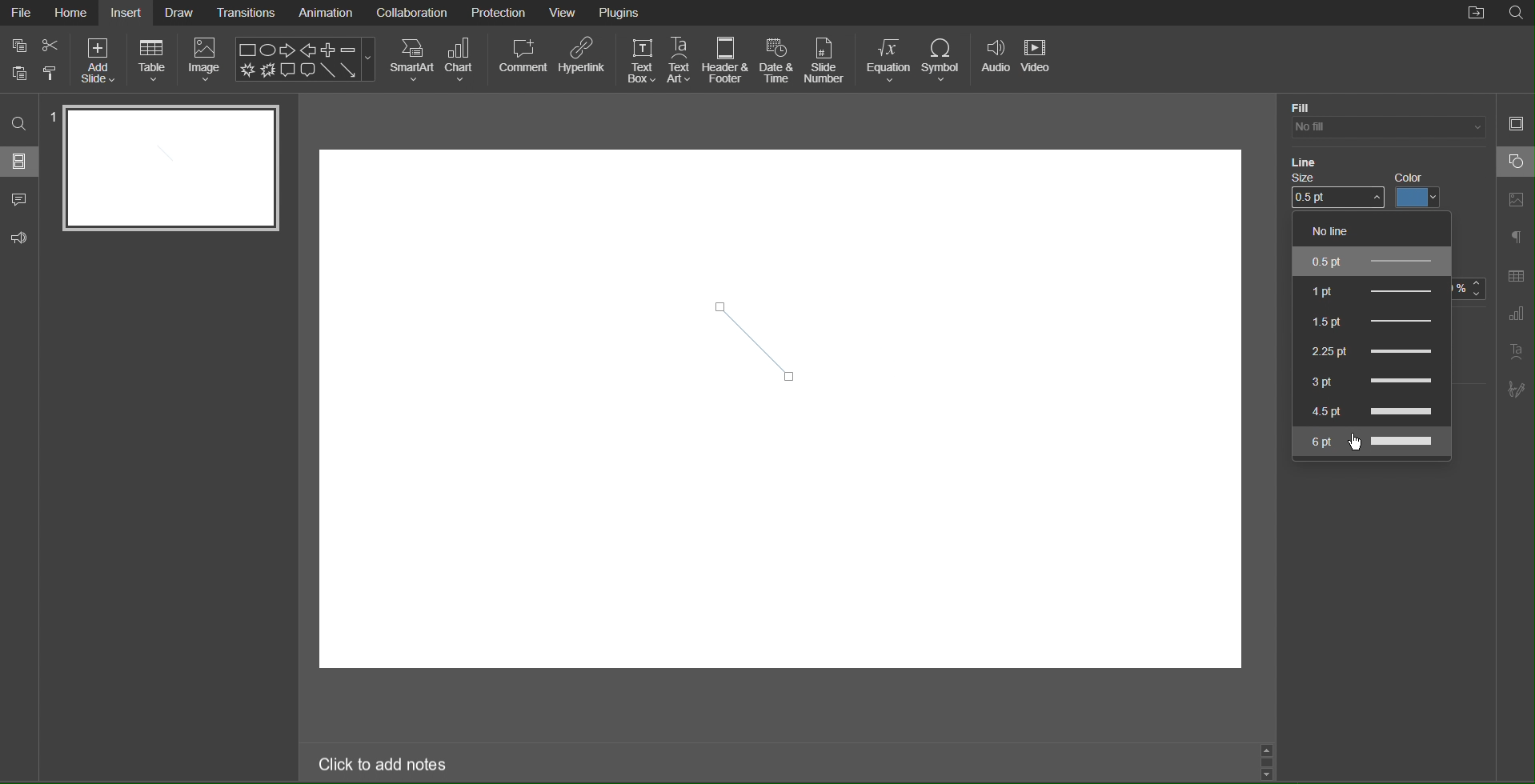 The height and width of the screenshot is (784, 1535). What do you see at coordinates (1365, 318) in the screenshot?
I see `1.5pt` at bounding box center [1365, 318].